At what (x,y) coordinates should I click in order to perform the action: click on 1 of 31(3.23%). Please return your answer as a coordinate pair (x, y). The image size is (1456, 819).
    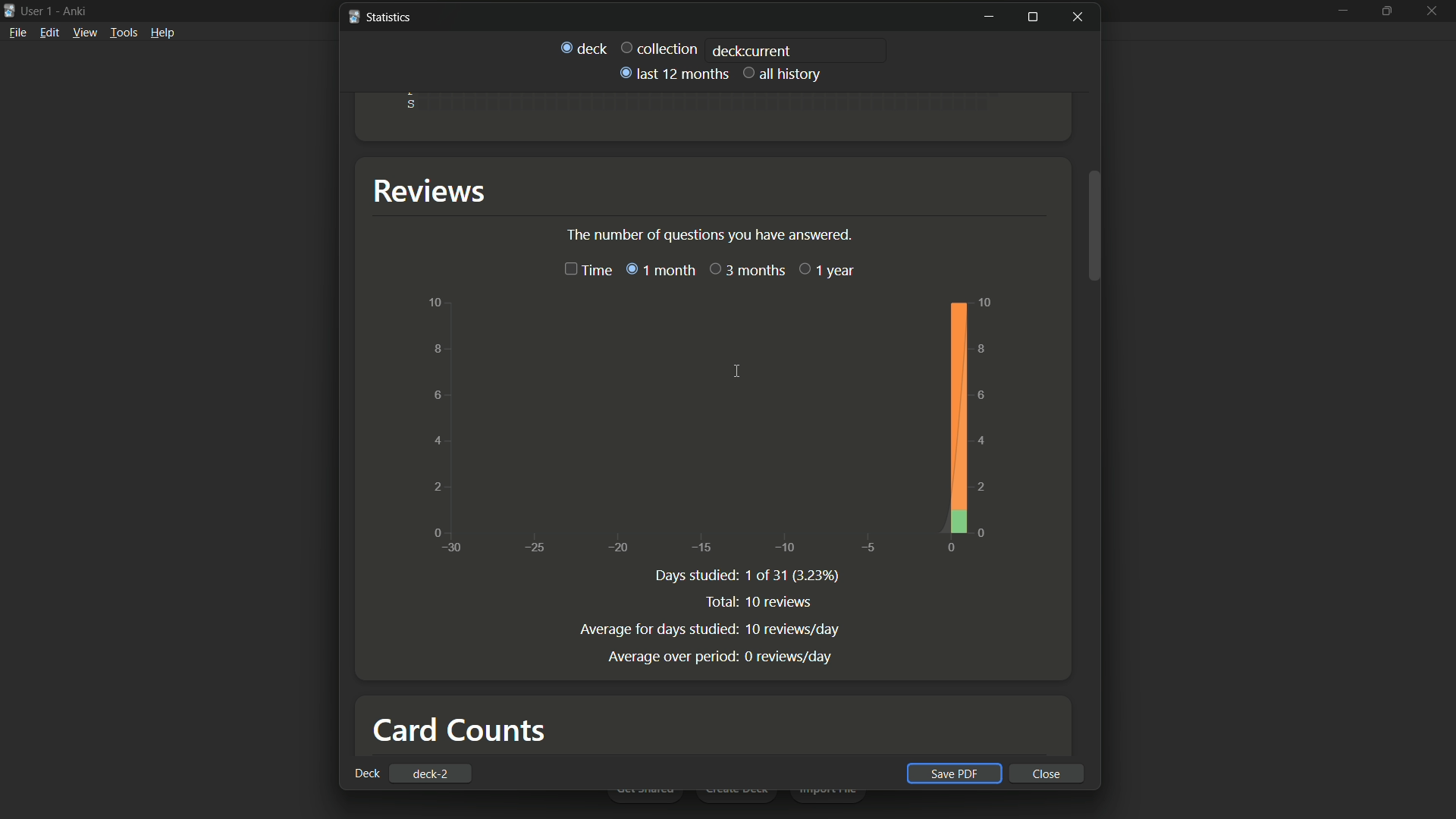
    Looking at the image, I should click on (794, 576).